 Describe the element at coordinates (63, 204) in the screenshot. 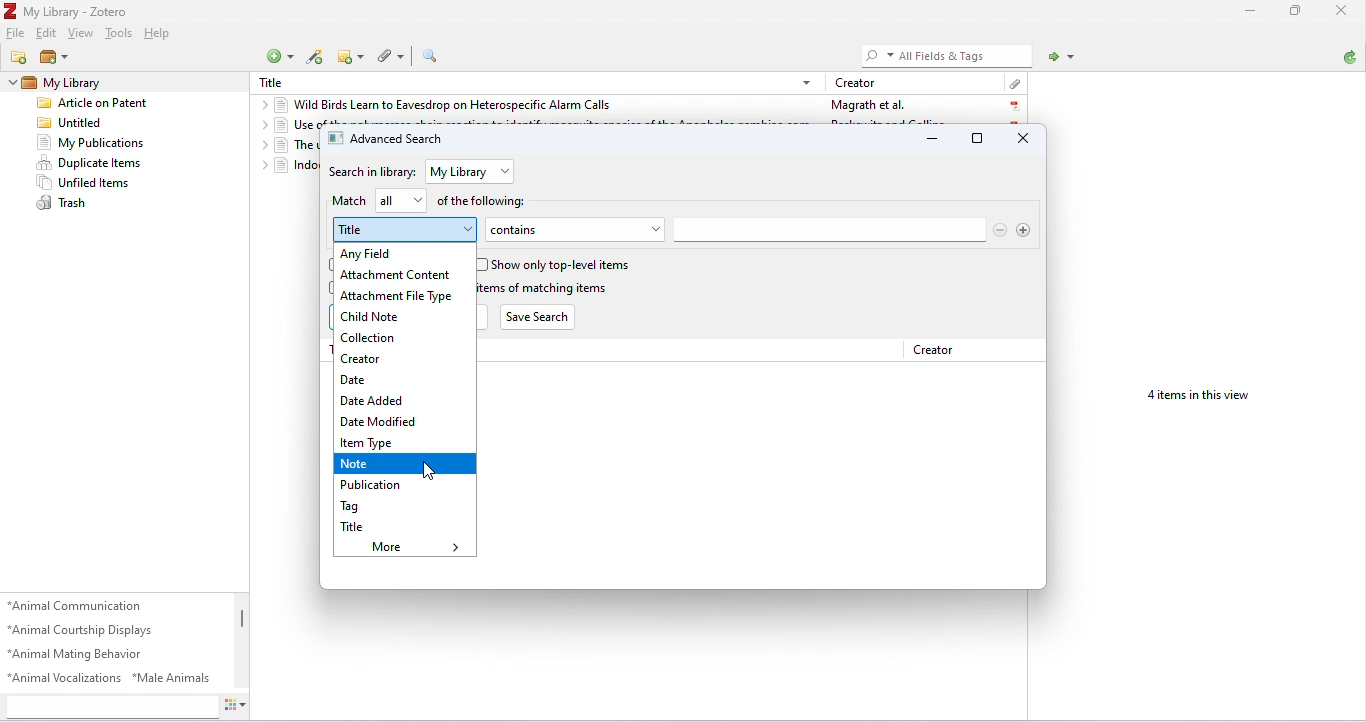

I see `trash` at that location.